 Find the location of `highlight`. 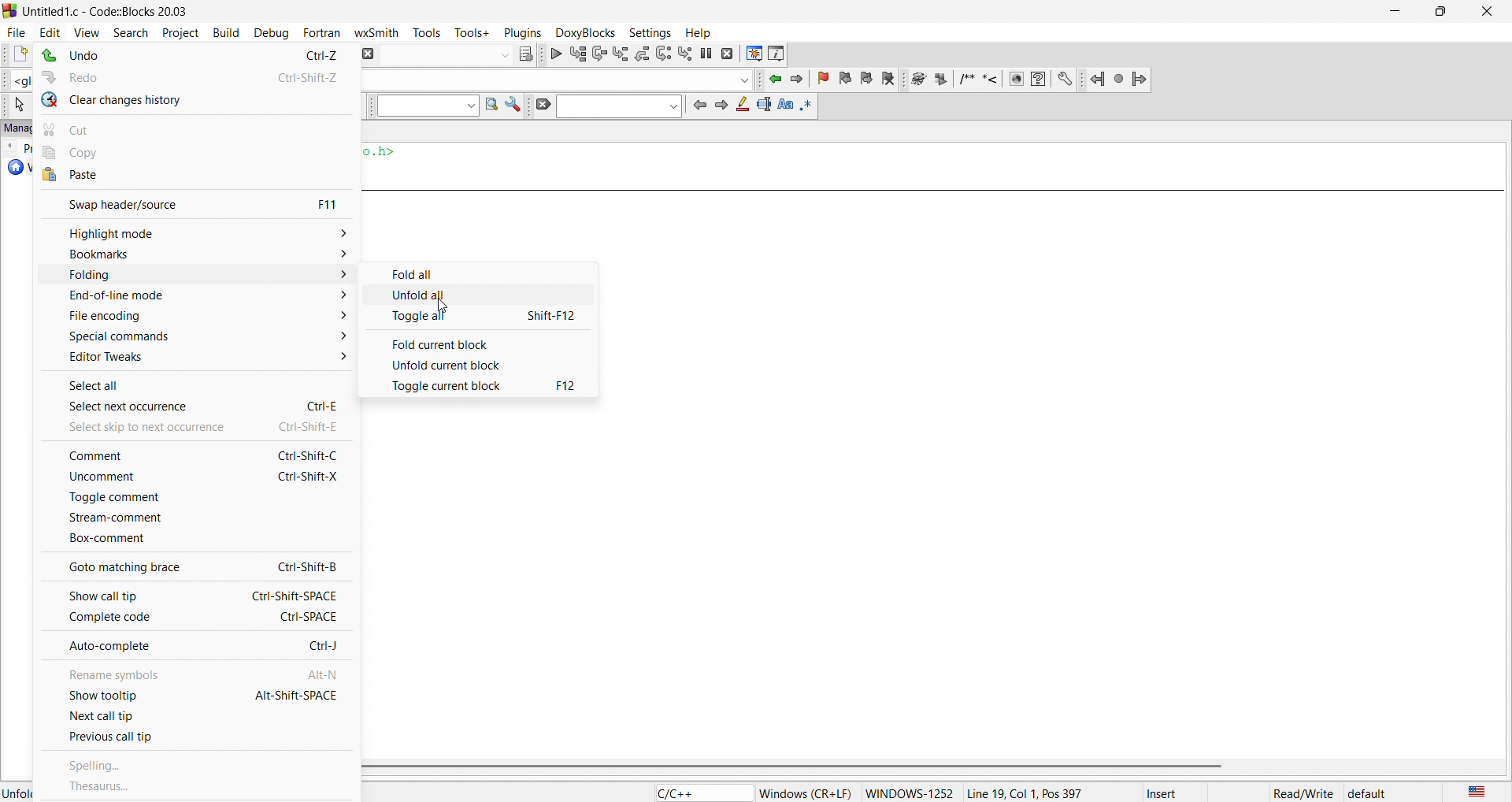

highlight is located at coordinates (740, 106).